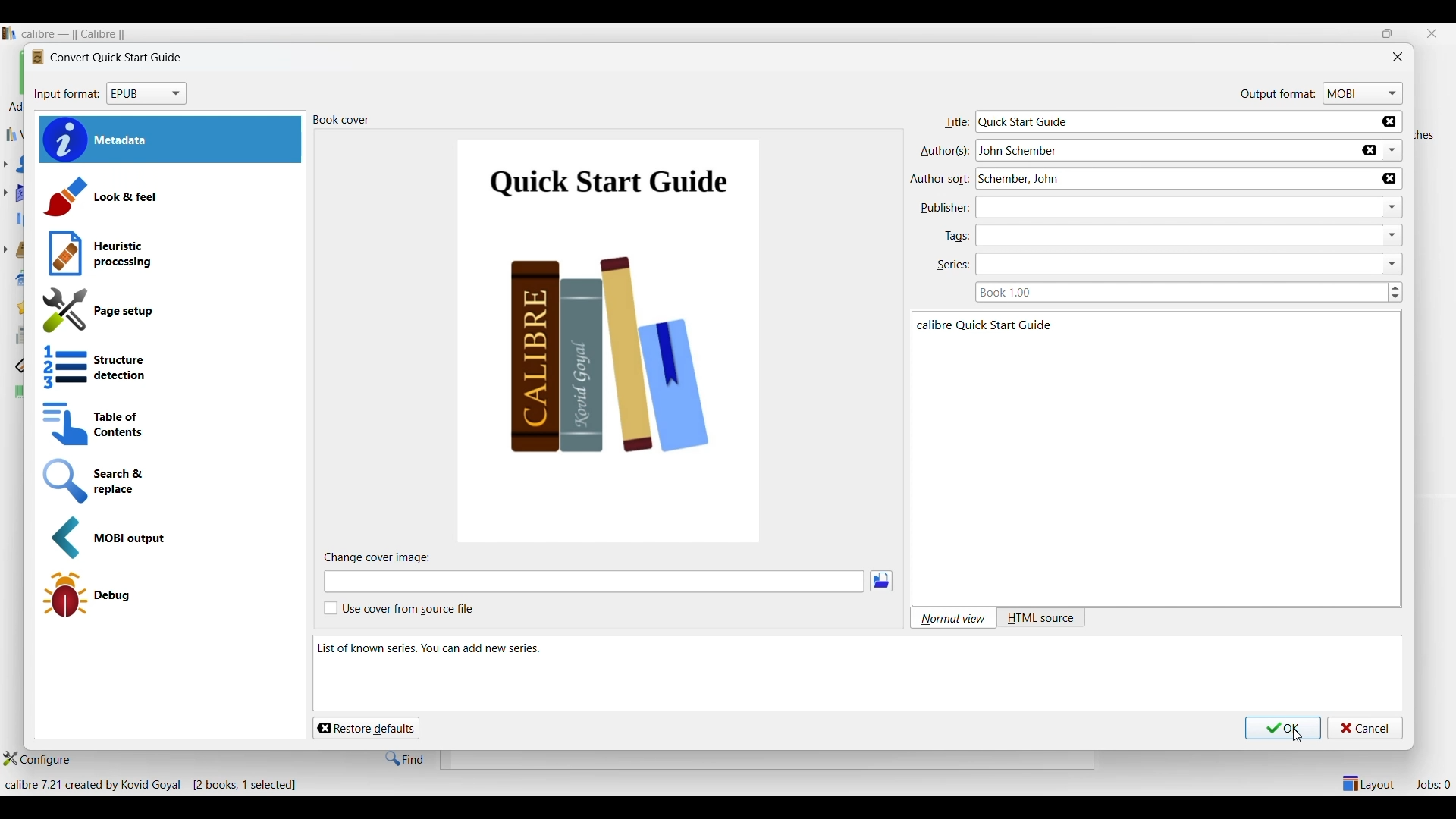 The image size is (1456, 819). What do you see at coordinates (1394, 235) in the screenshot?
I see `dropdown` at bounding box center [1394, 235].